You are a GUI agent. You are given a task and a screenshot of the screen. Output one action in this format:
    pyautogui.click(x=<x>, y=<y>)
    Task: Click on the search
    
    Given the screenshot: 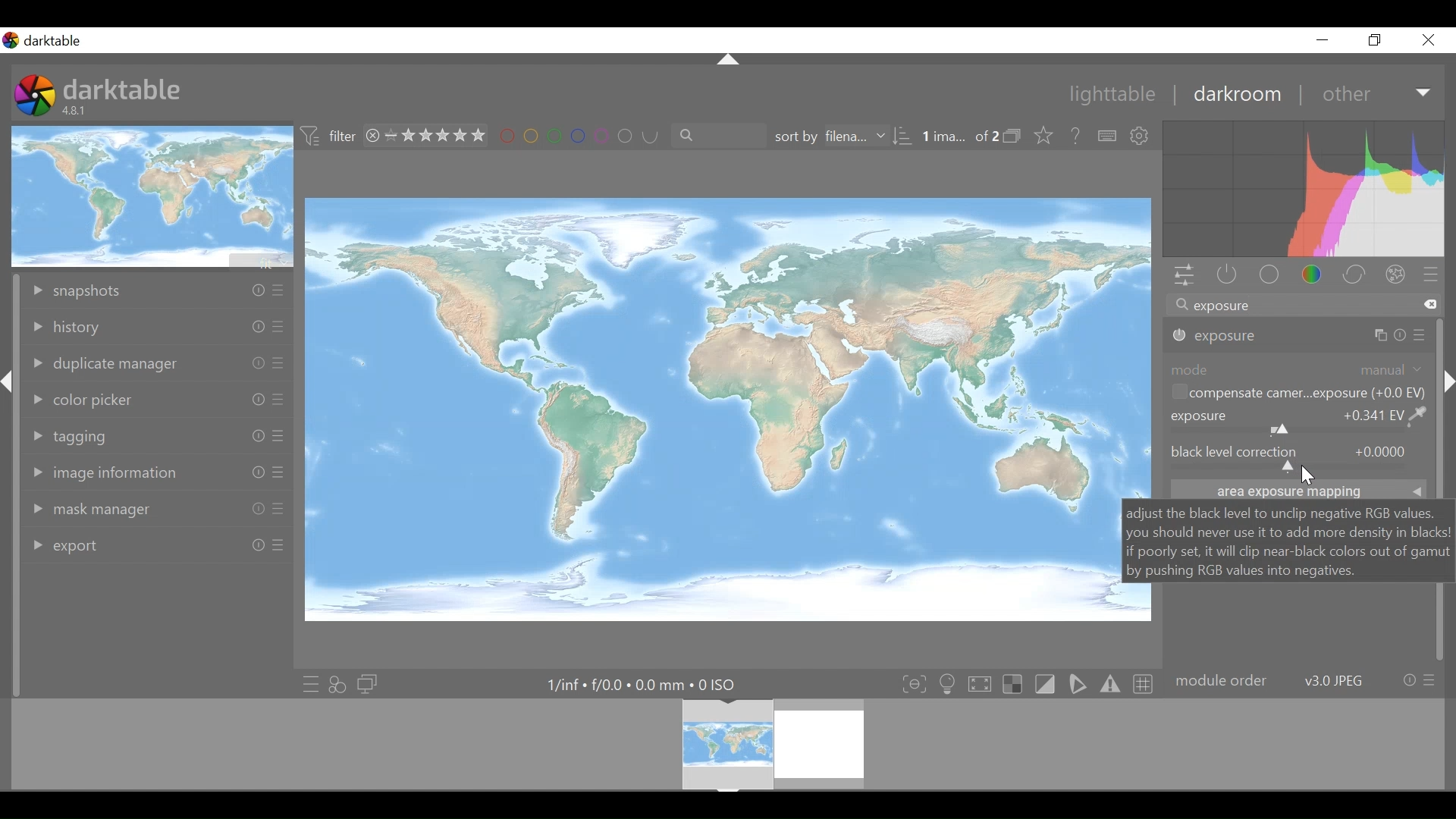 What is the action you would take?
    pyautogui.click(x=713, y=135)
    